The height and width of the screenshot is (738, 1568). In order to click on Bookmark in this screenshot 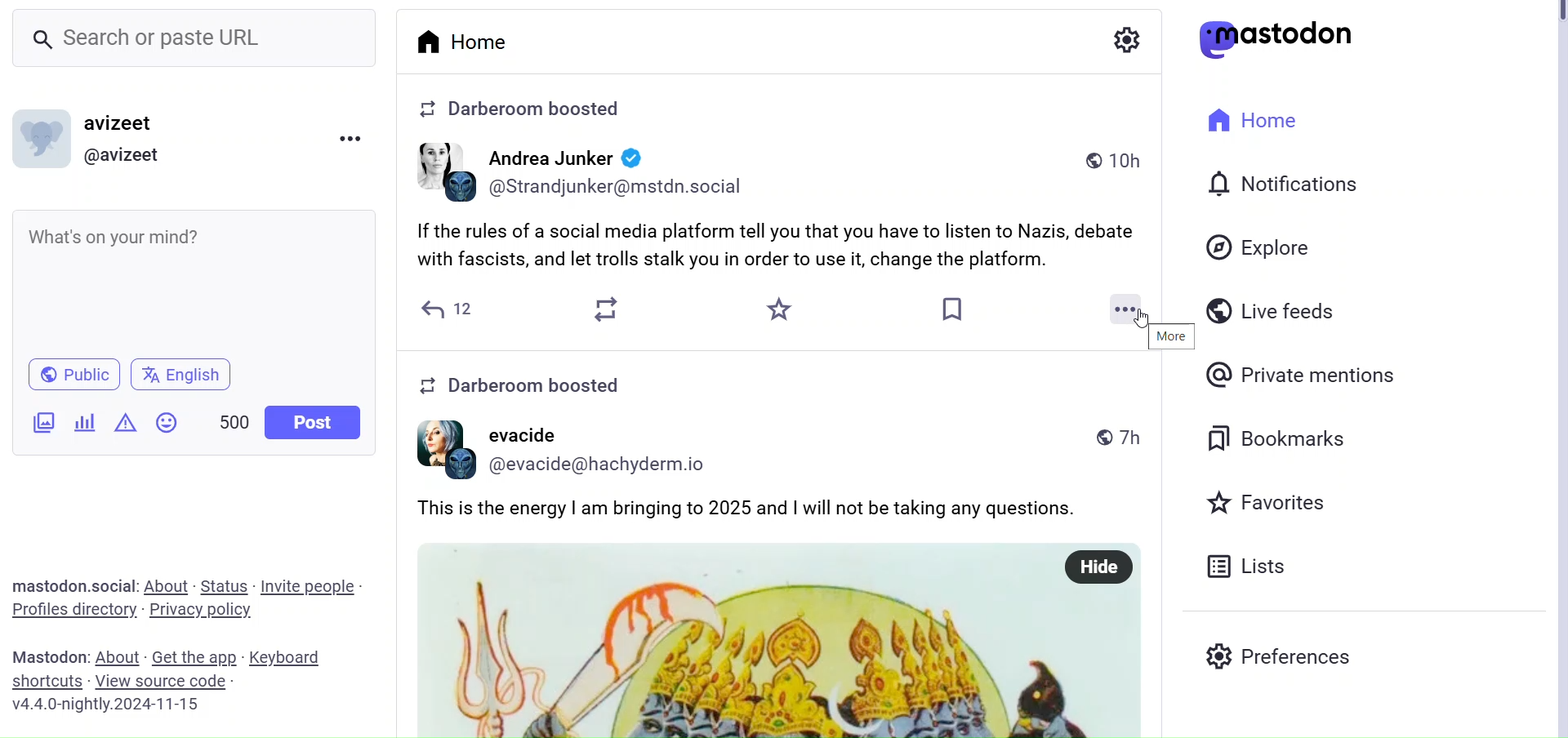, I will do `click(956, 307)`.